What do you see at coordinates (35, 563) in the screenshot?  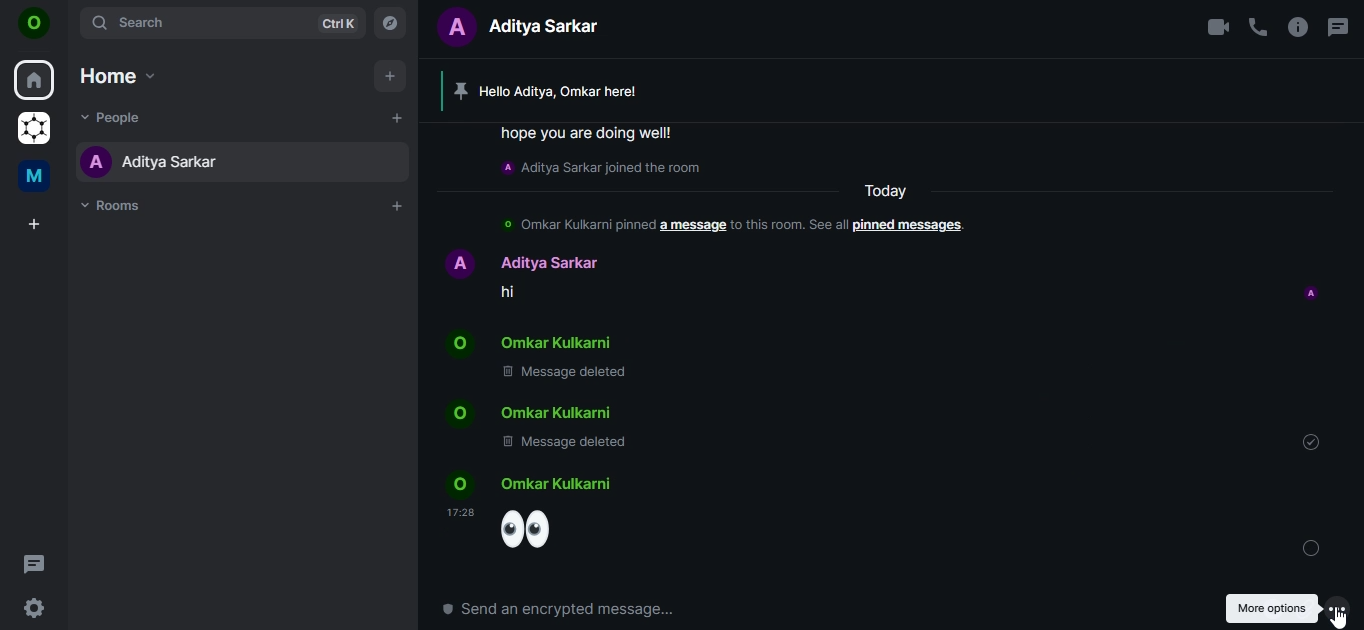 I see `threads` at bounding box center [35, 563].